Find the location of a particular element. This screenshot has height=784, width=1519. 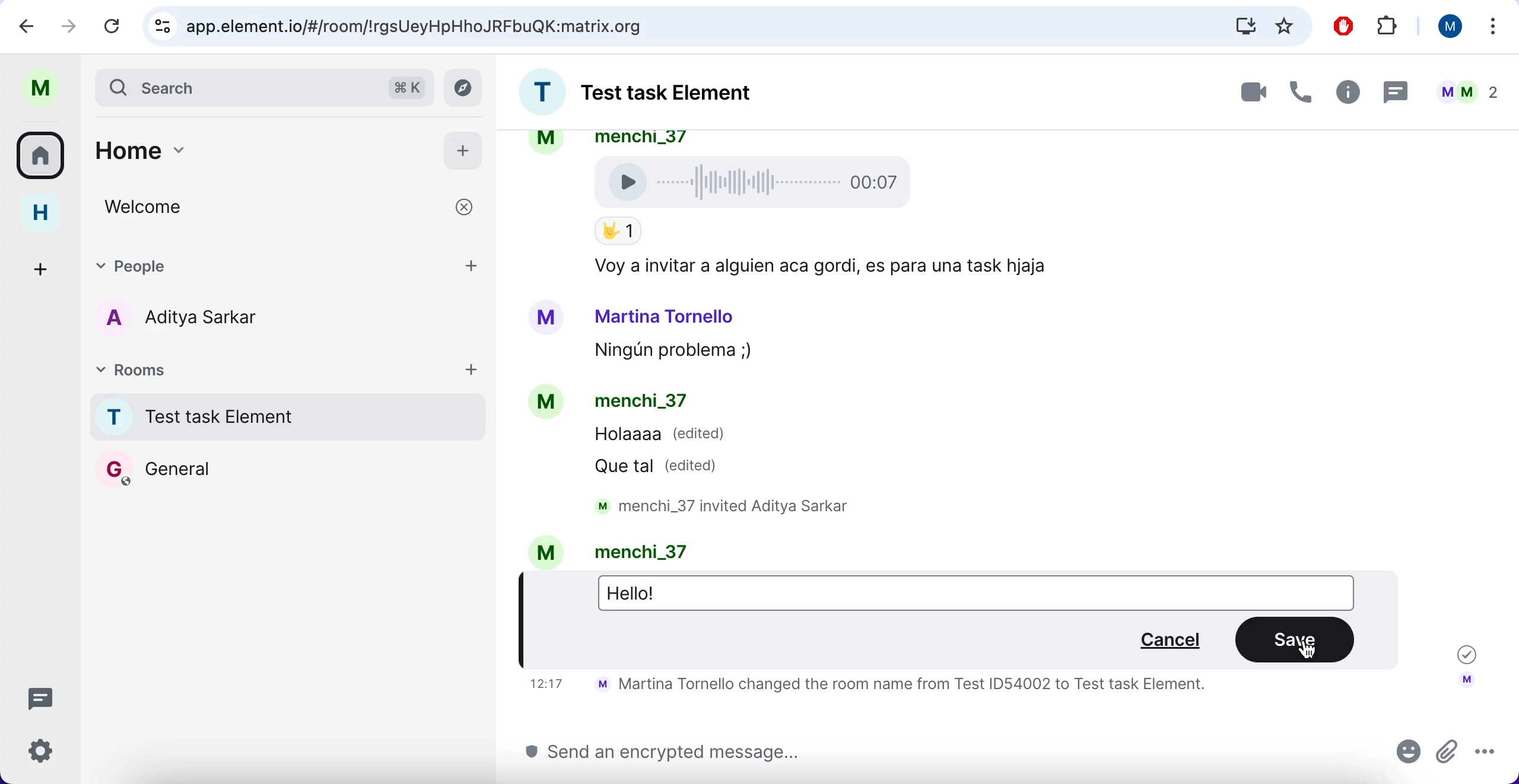

info is located at coordinates (1348, 94).